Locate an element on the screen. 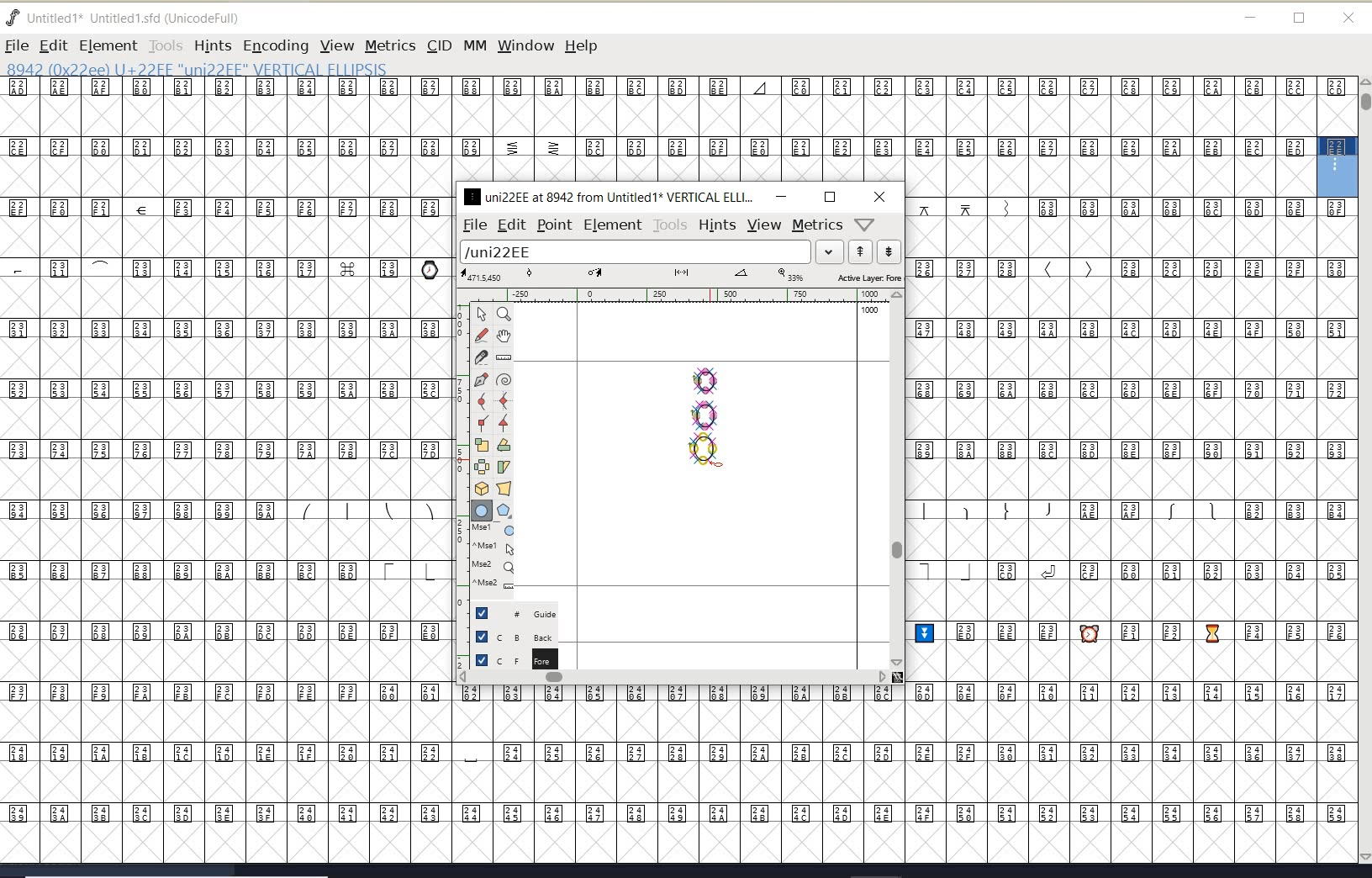  GLYPHY CHARACTERS & NUMBERS is located at coordinates (223, 431).